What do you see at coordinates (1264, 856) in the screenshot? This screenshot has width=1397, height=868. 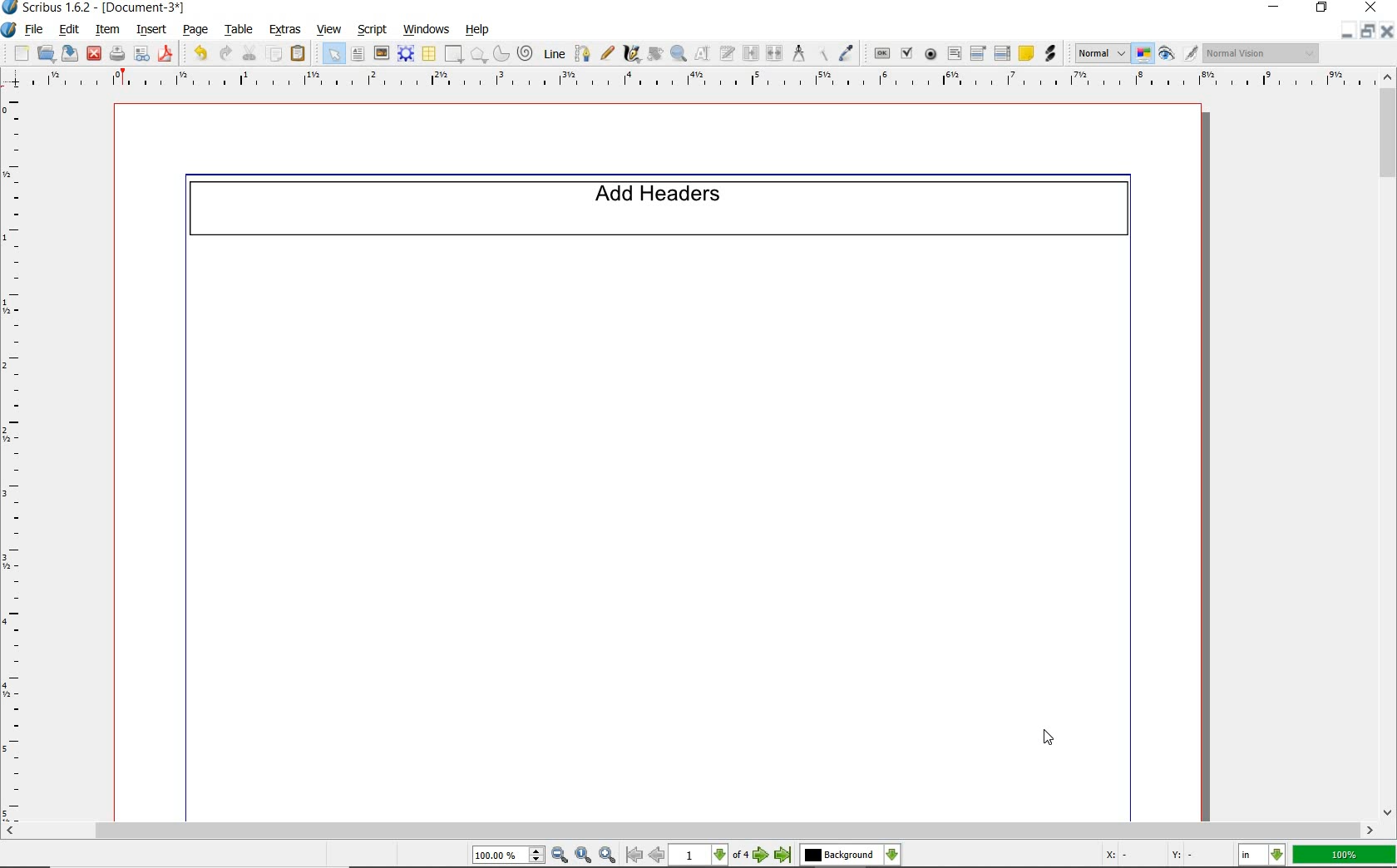 I see `select the current unit` at bounding box center [1264, 856].